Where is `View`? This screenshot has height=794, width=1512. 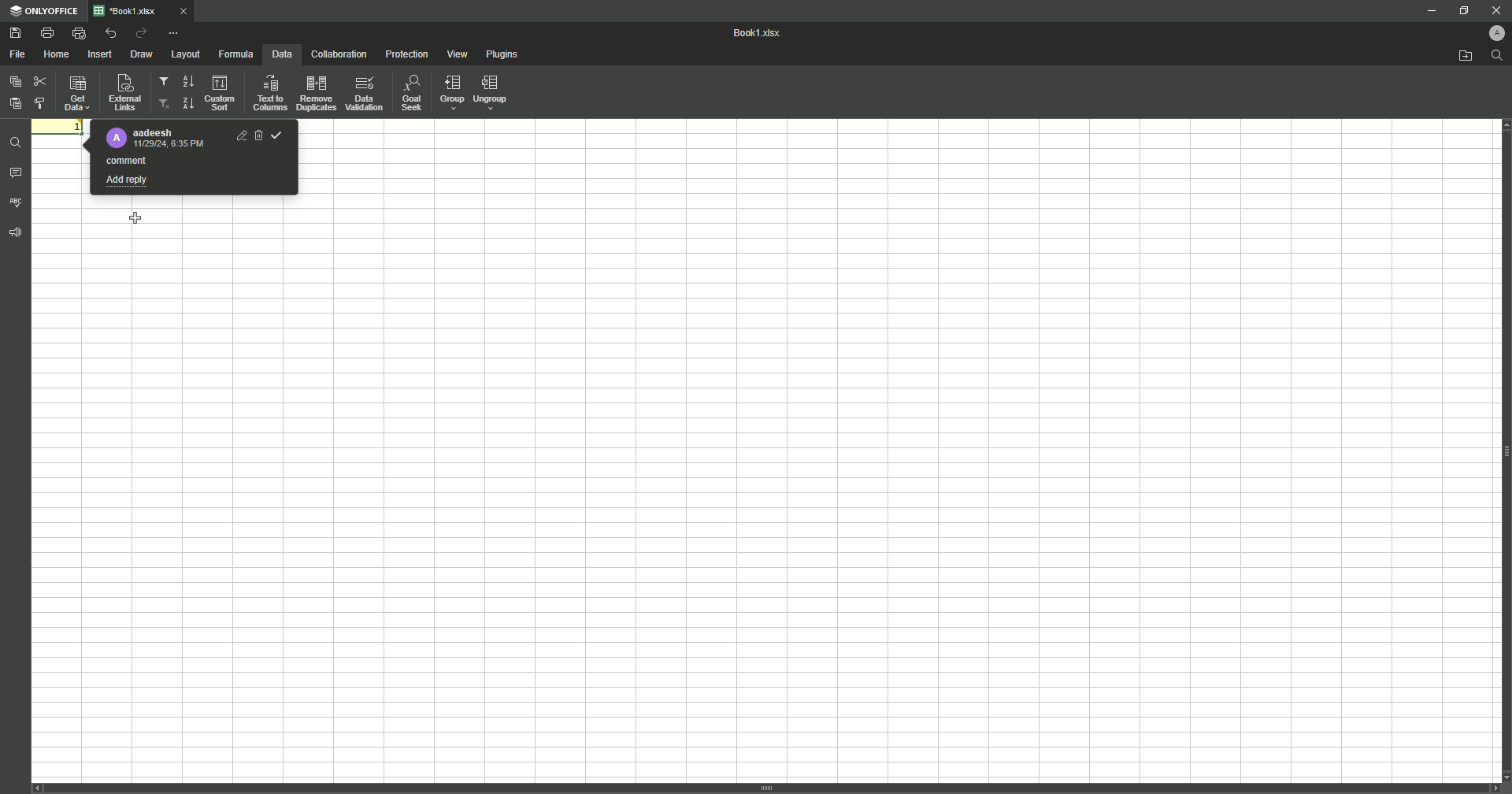
View is located at coordinates (459, 55).